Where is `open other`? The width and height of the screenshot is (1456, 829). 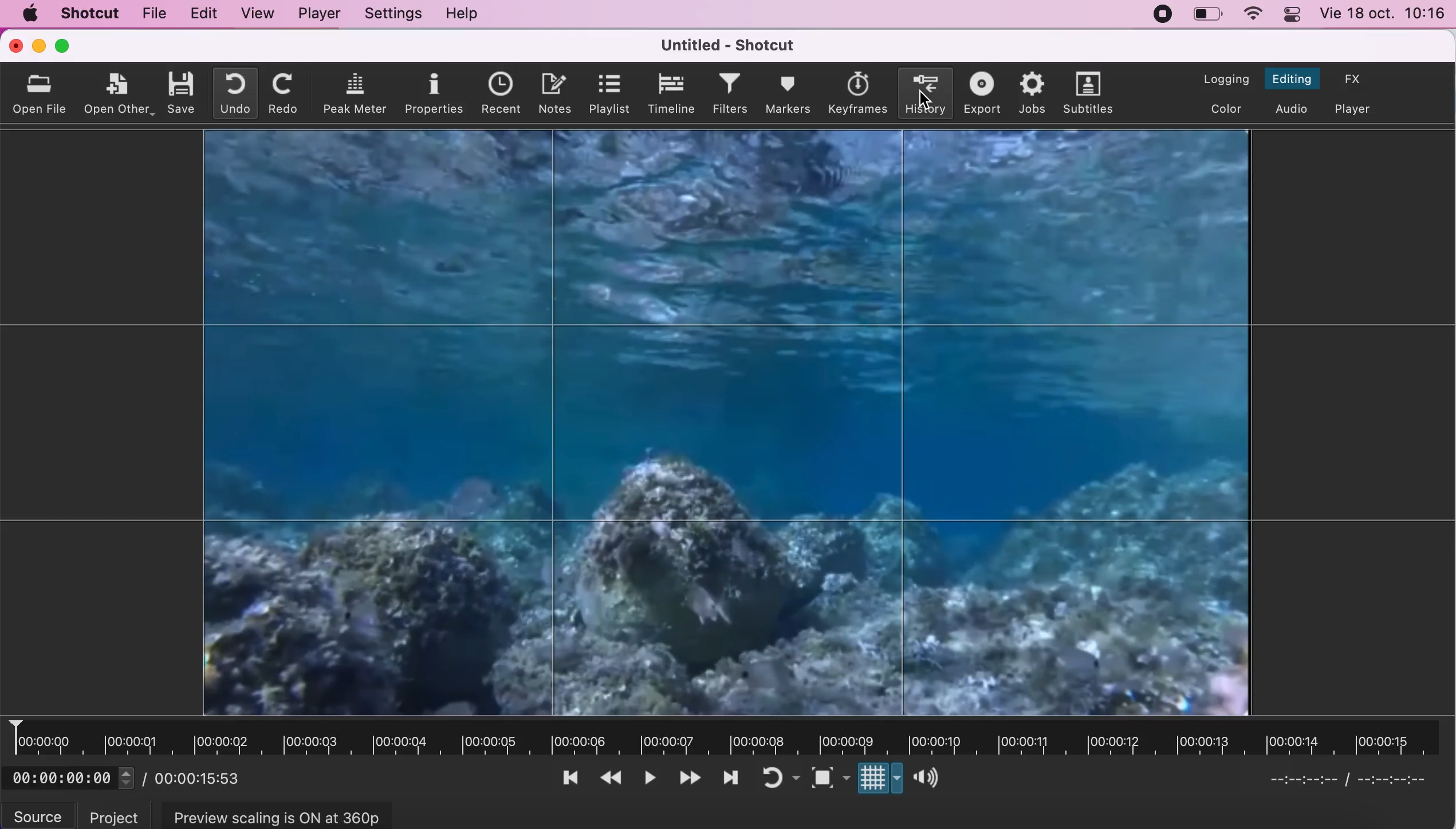
open other is located at coordinates (120, 92).